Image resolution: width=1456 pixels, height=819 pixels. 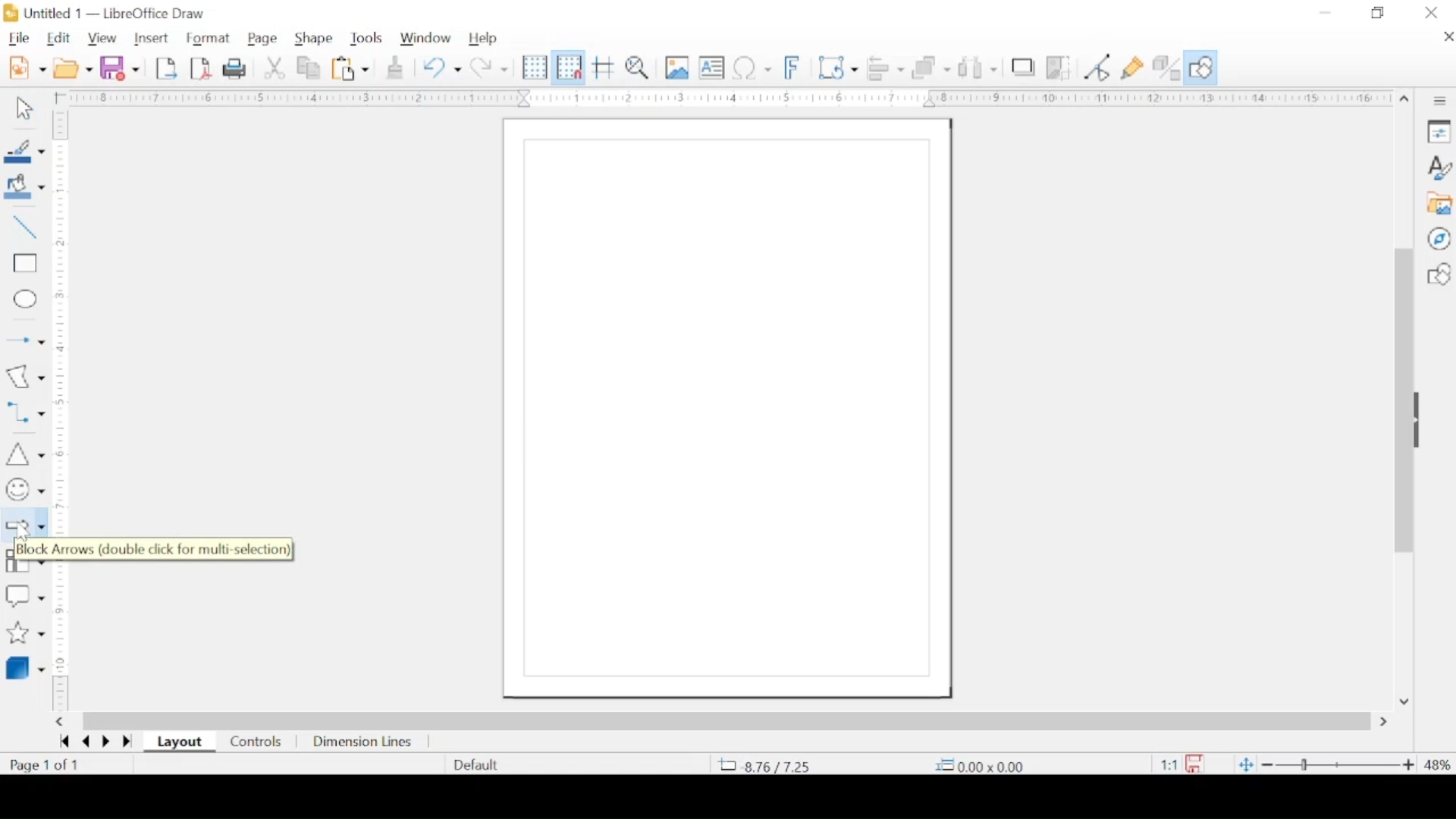 I want to click on connectors, so click(x=25, y=413).